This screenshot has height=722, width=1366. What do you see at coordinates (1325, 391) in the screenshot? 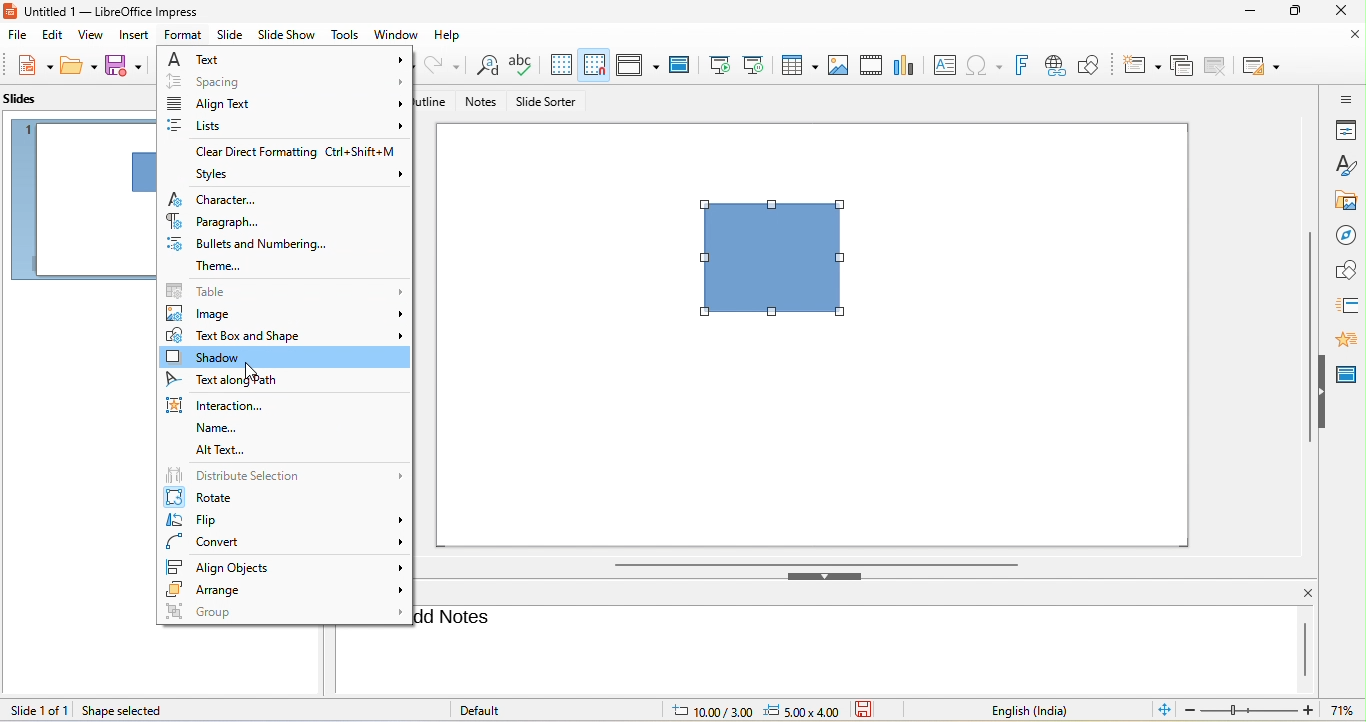
I see `hide` at bounding box center [1325, 391].